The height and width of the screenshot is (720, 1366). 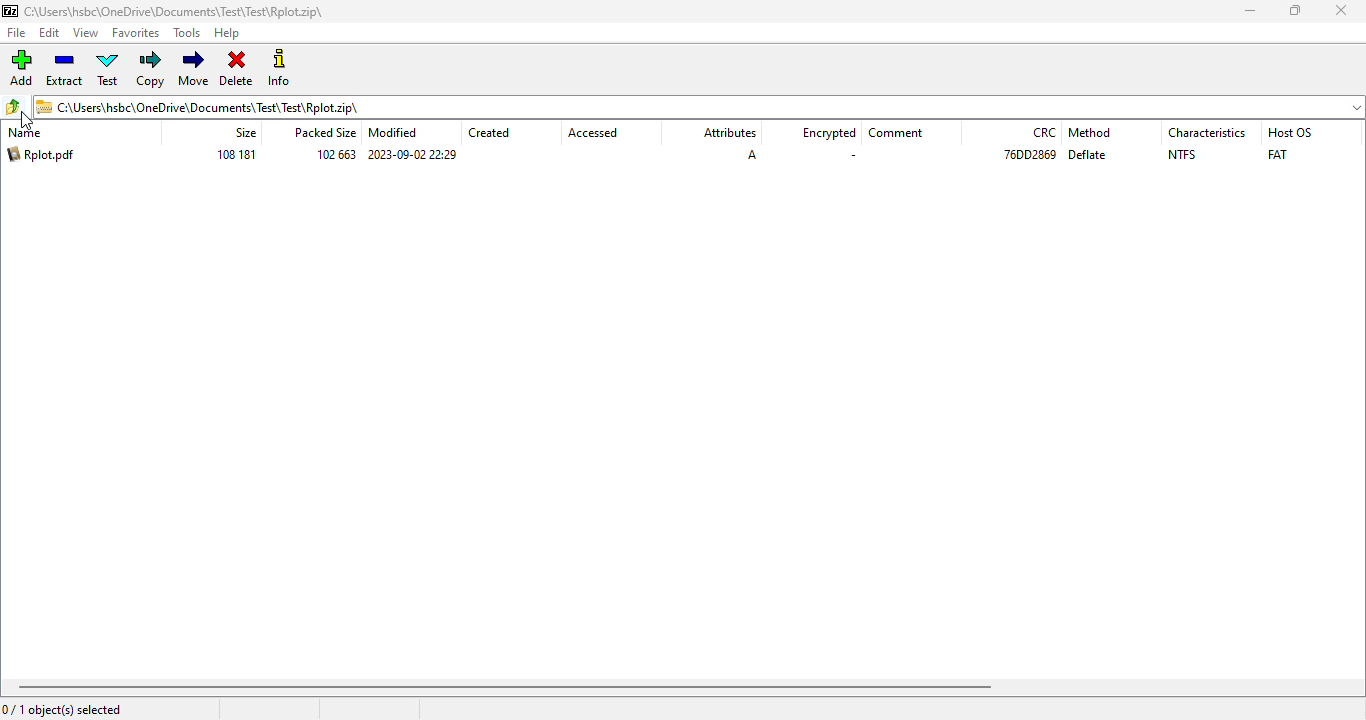 I want to click on characteristics, so click(x=1206, y=133).